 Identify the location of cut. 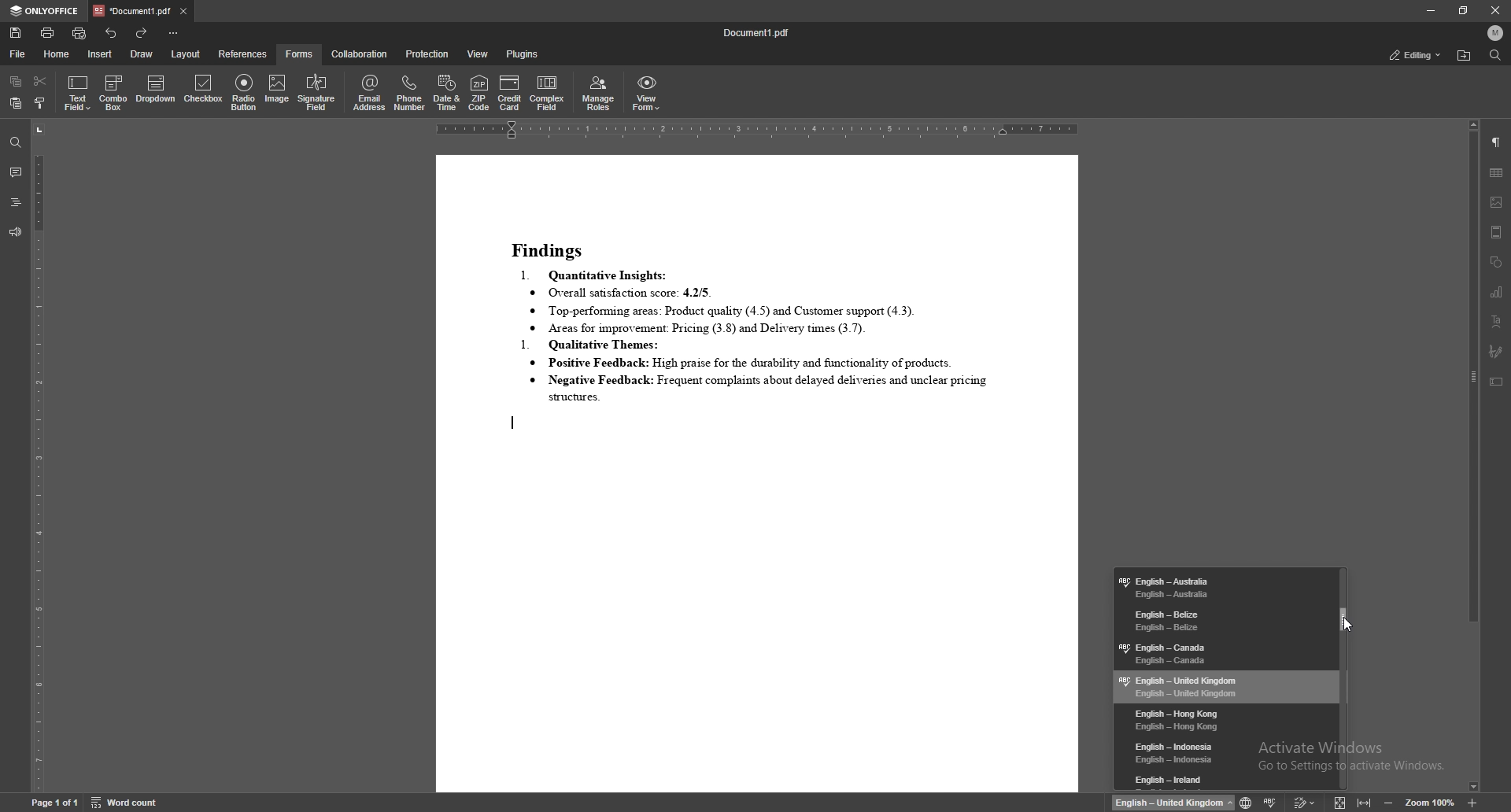
(41, 81).